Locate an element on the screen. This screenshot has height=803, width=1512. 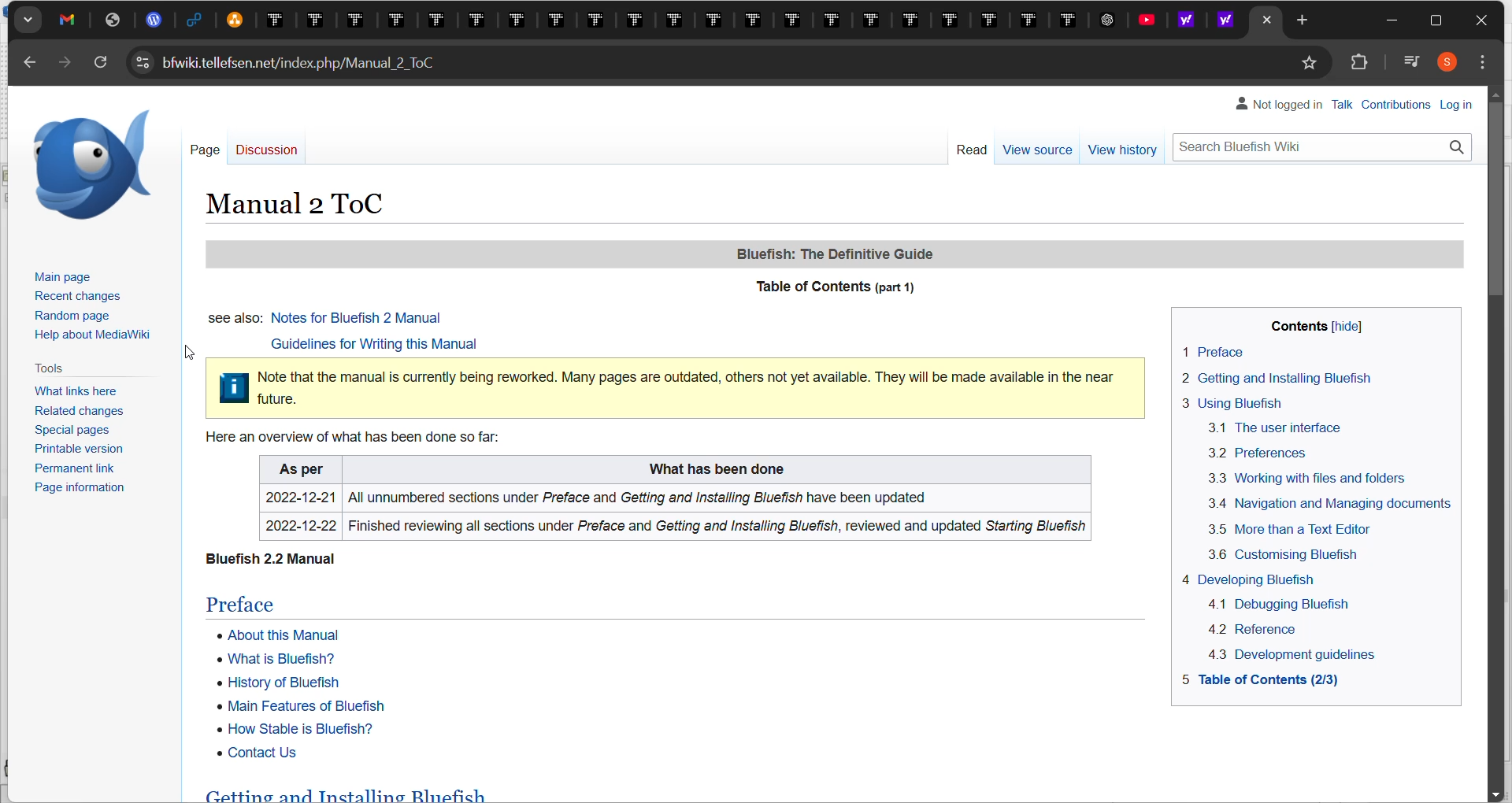
minimize is located at coordinates (1392, 20).